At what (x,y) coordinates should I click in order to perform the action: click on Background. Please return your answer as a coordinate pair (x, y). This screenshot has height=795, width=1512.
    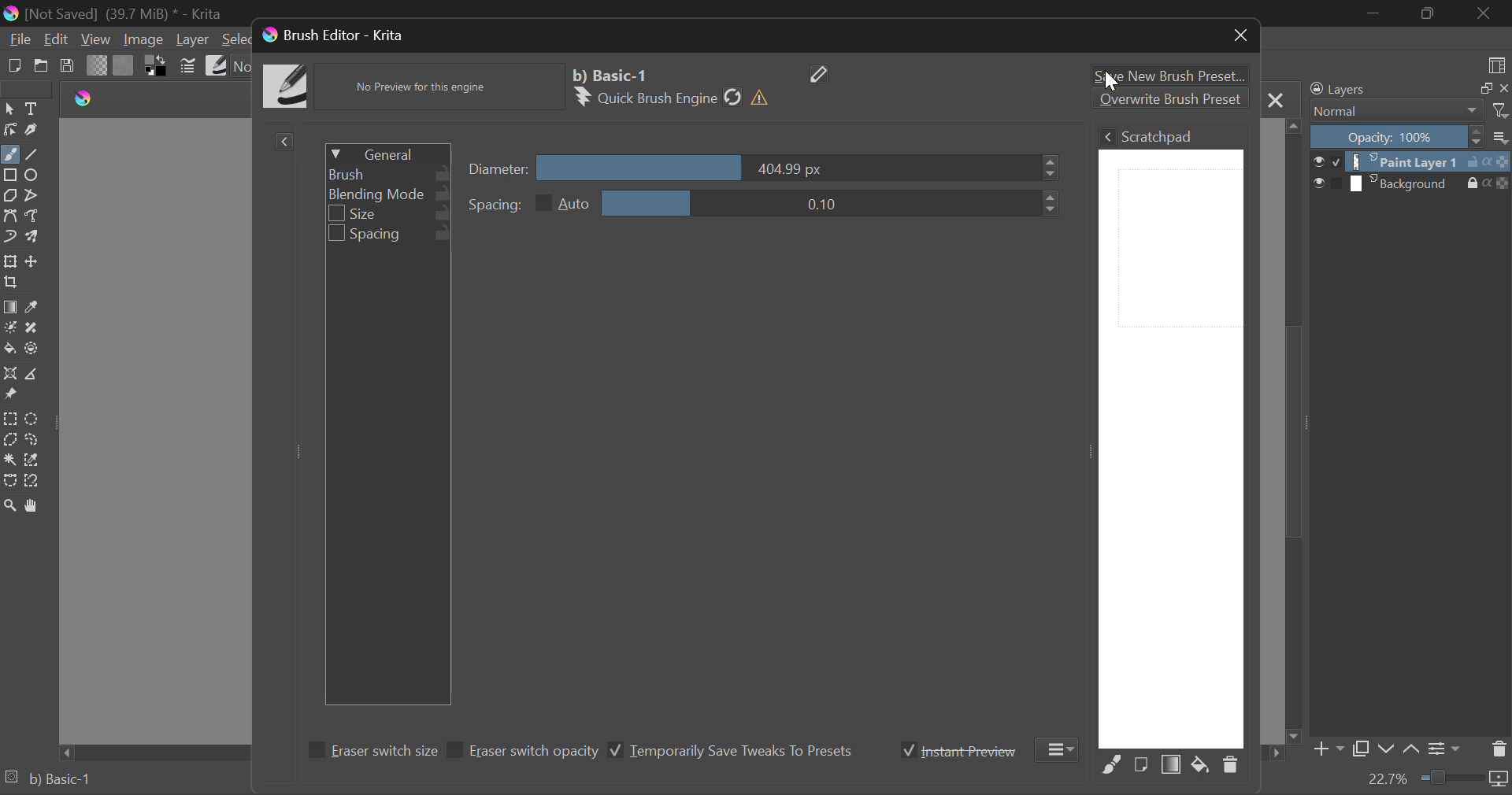
    Looking at the image, I should click on (1411, 183).